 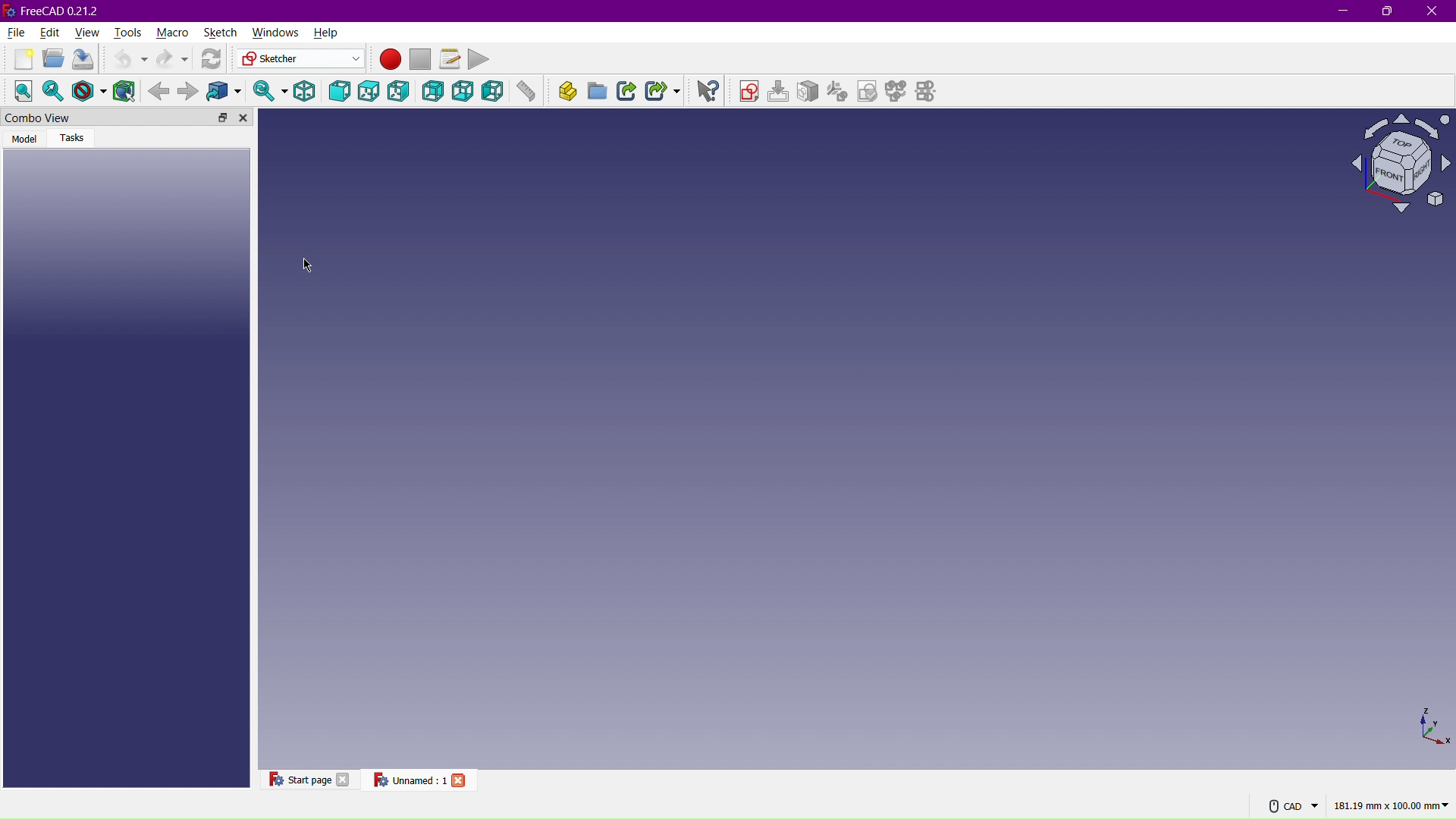 I want to click on Right, so click(x=400, y=89).